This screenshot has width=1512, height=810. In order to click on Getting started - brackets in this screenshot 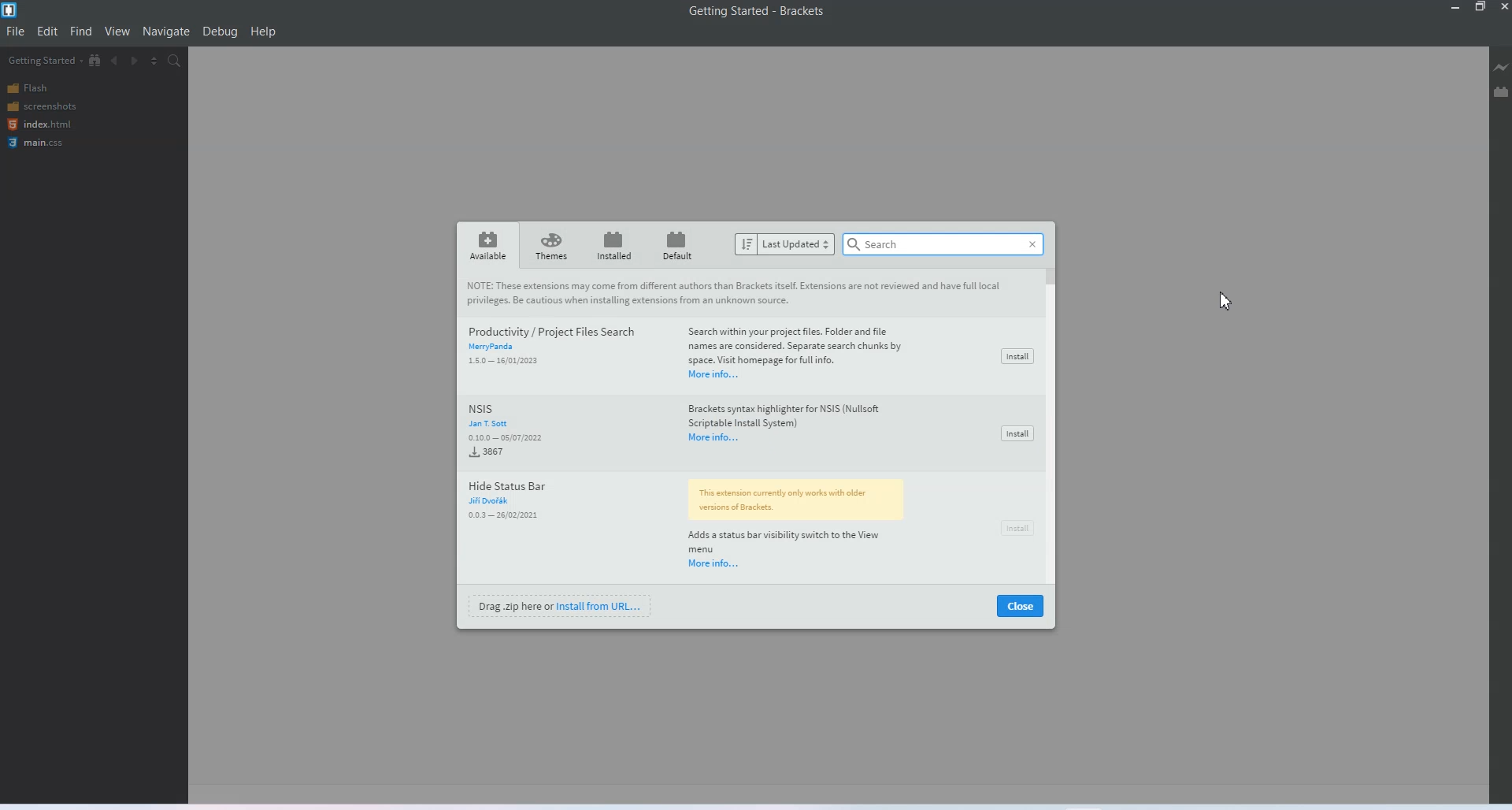, I will do `click(761, 12)`.